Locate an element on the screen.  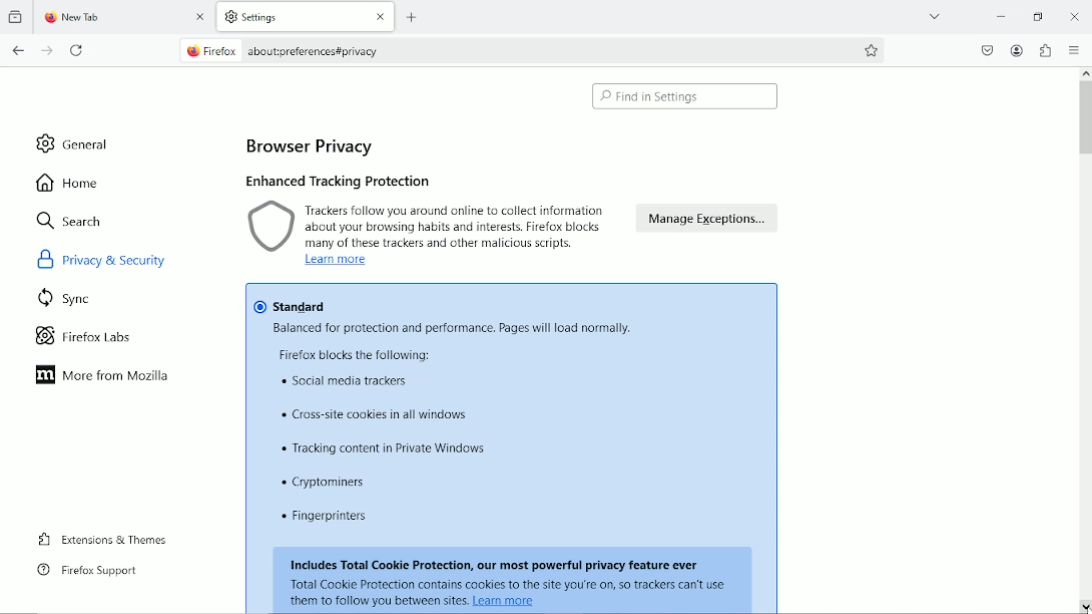
learn more is located at coordinates (510, 603).